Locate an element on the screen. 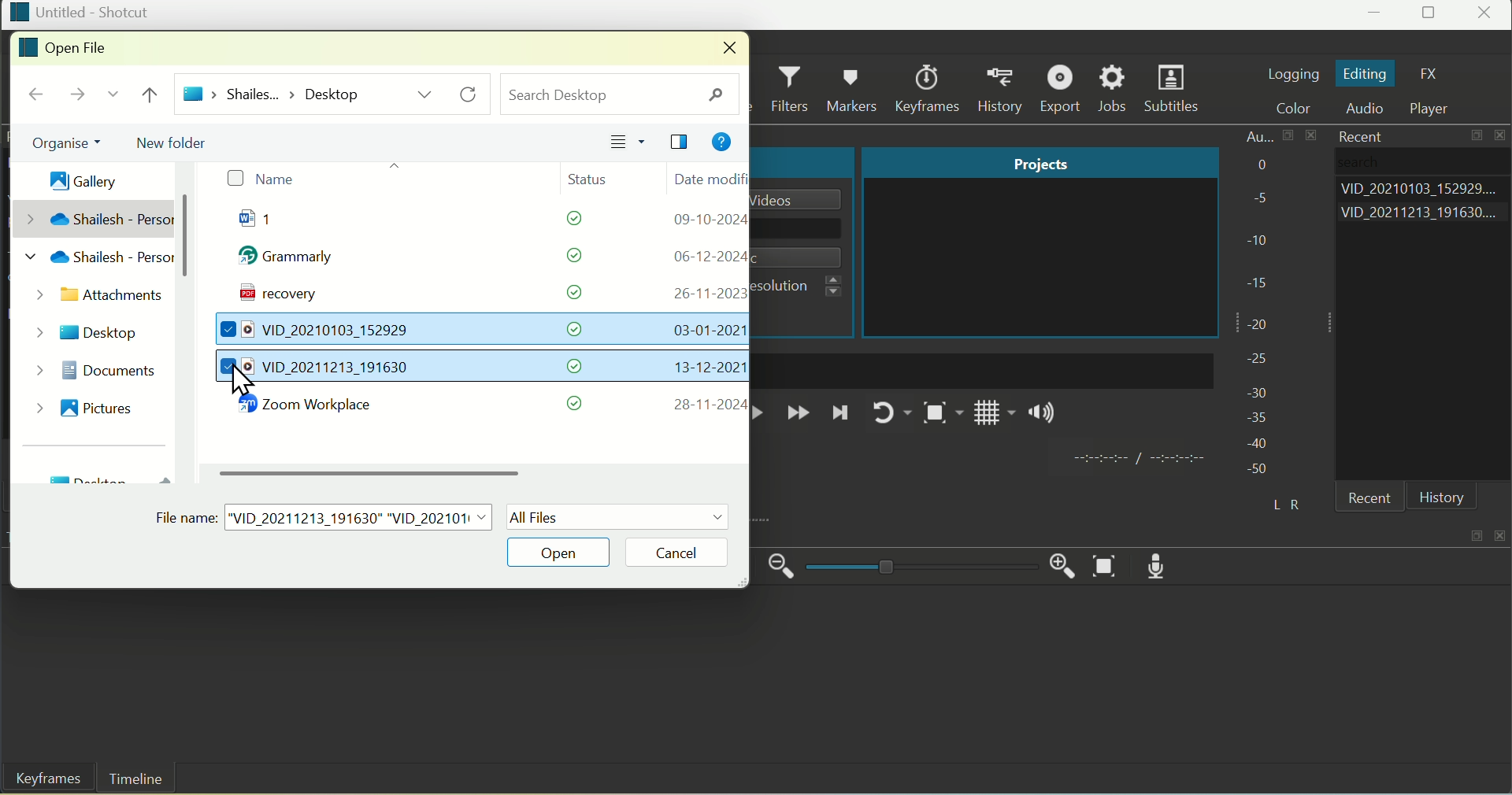  Player is located at coordinates (1437, 109).